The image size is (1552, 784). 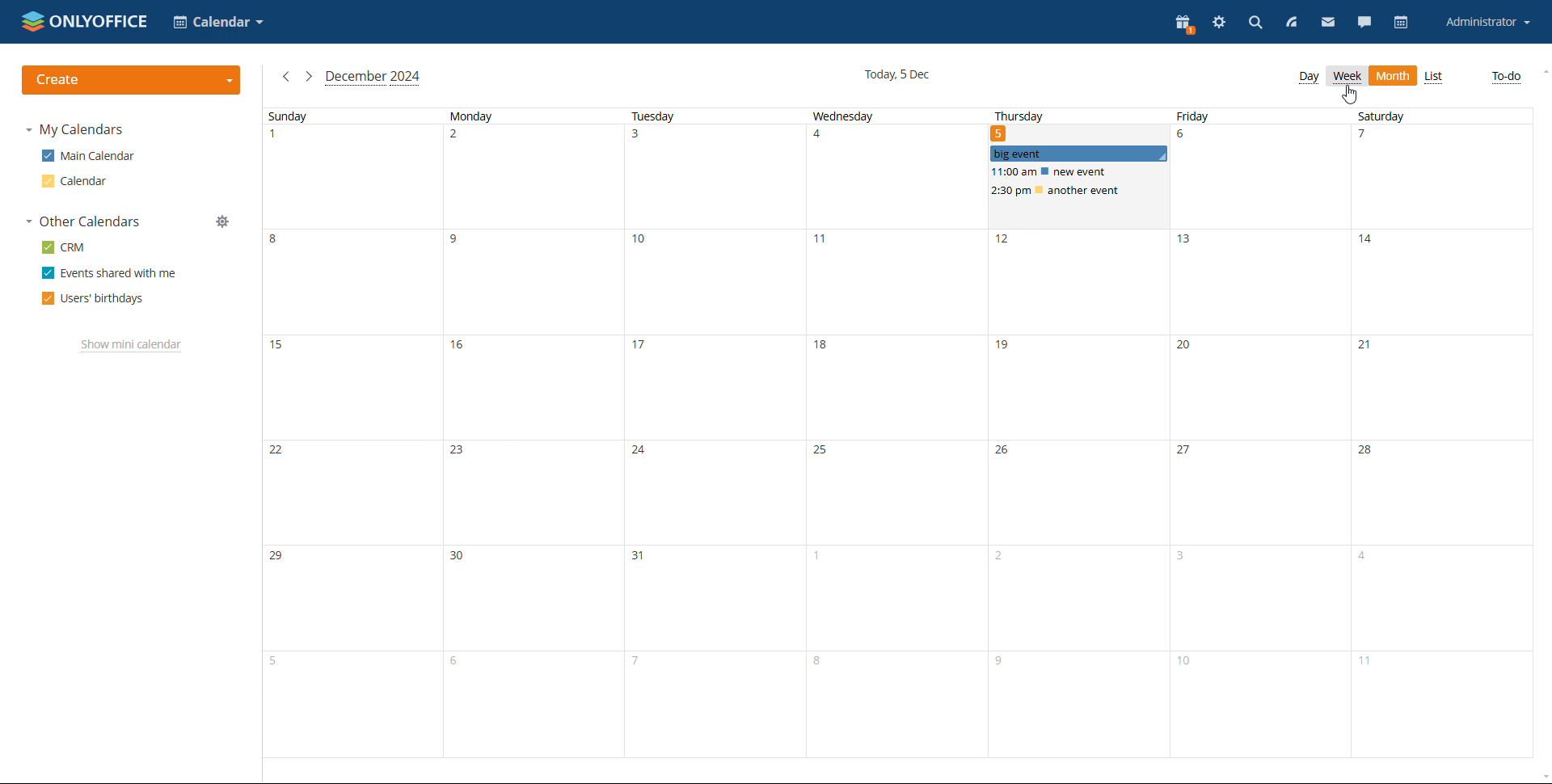 I want to click on scroll down, so click(x=1542, y=777).